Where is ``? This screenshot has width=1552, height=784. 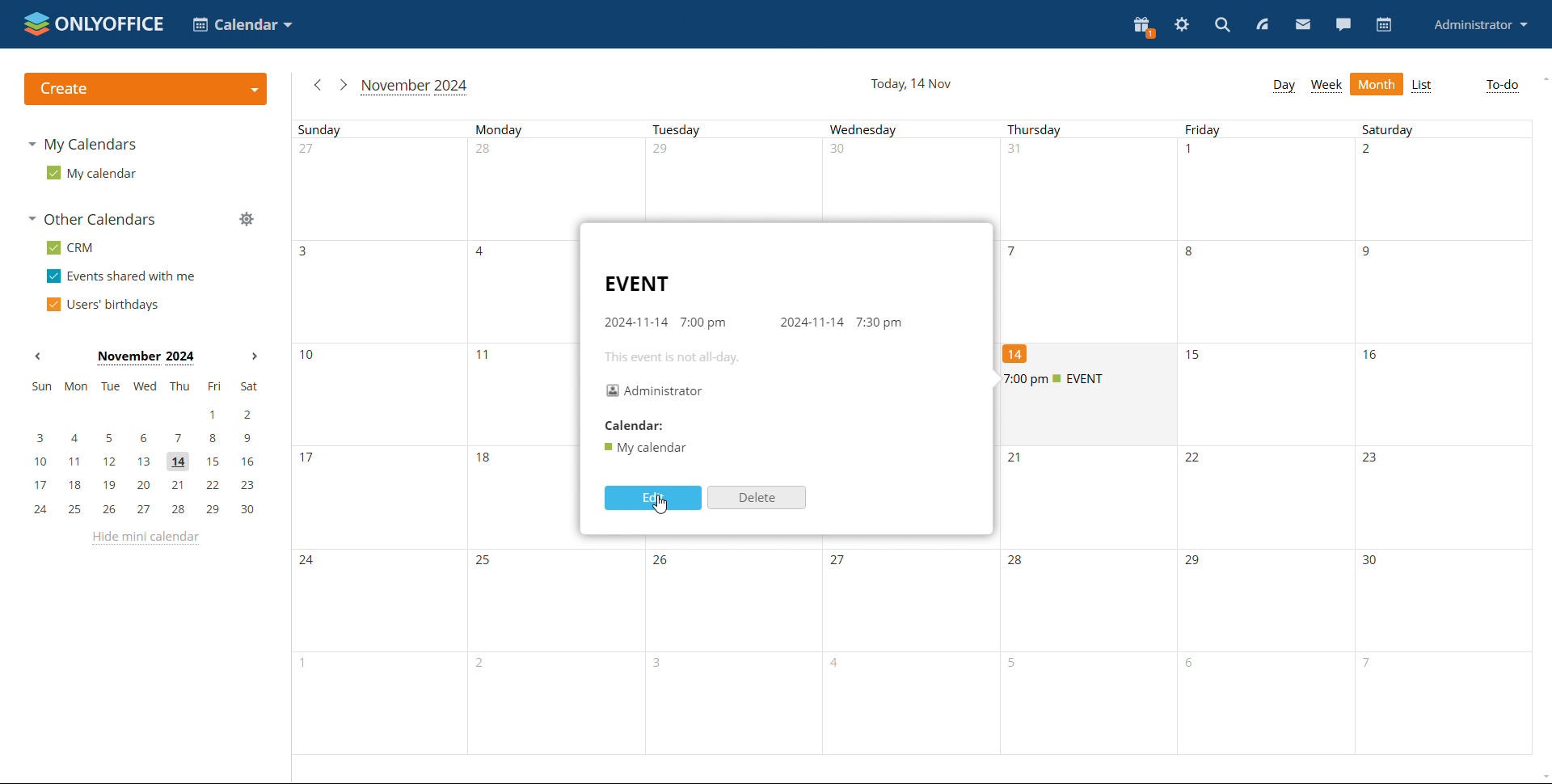  is located at coordinates (840, 561).